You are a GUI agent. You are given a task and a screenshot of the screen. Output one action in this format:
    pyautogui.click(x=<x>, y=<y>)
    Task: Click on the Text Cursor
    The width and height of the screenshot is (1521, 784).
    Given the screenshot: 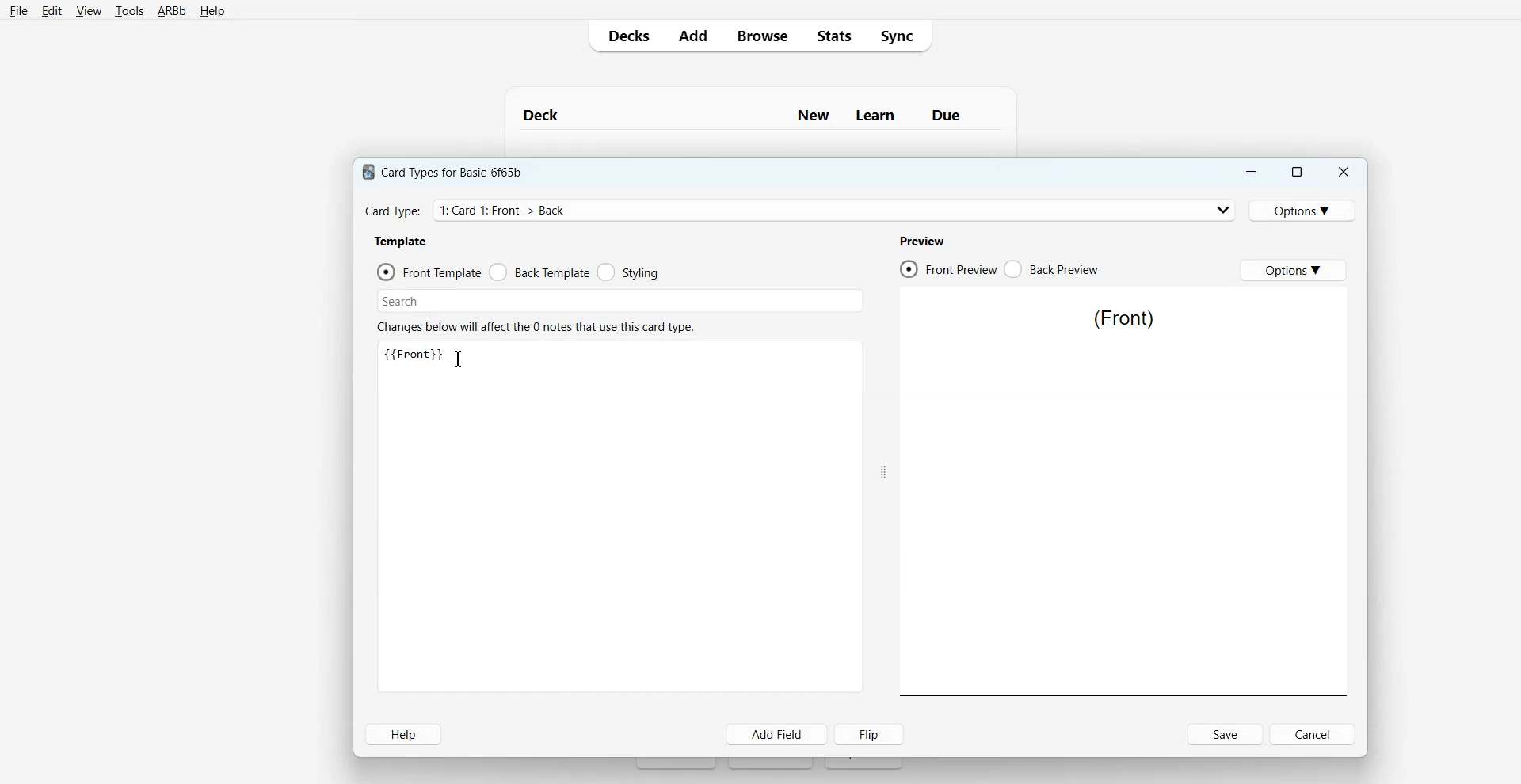 What is the action you would take?
    pyautogui.click(x=463, y=357)
    